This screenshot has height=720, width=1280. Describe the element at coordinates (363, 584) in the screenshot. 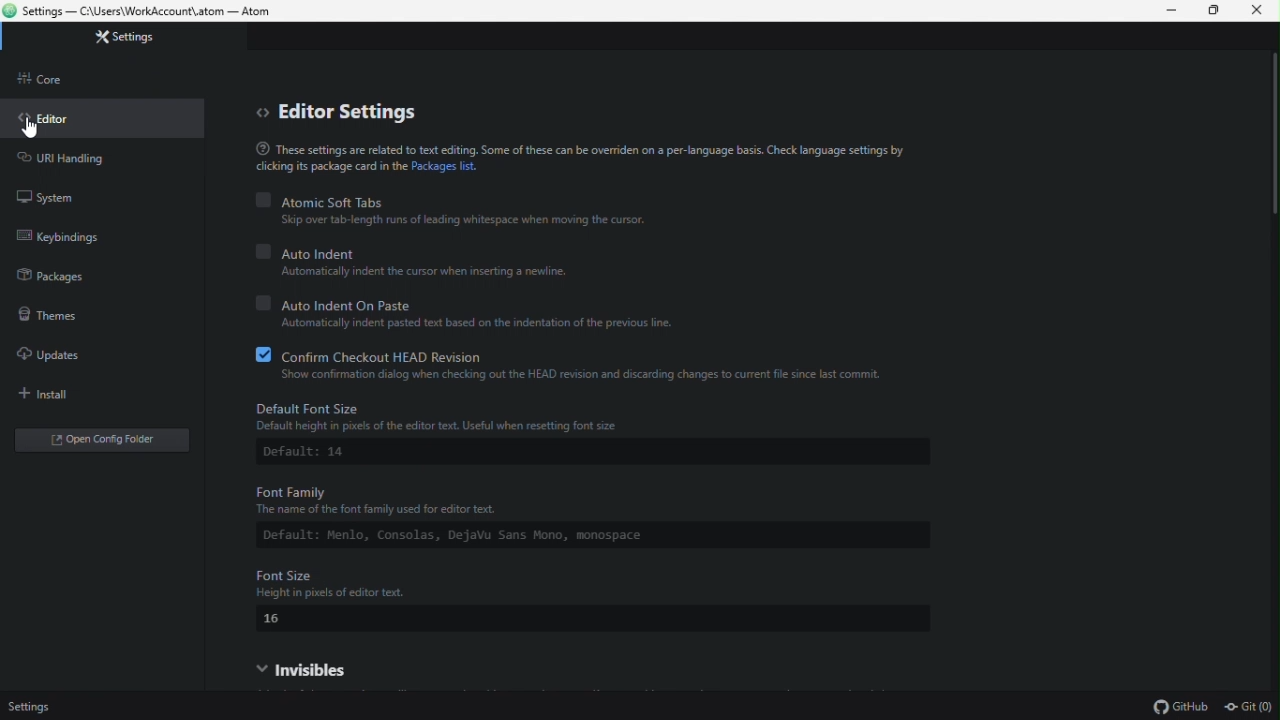

I see `Font Size
Height in pixels of editor text,` at that location.